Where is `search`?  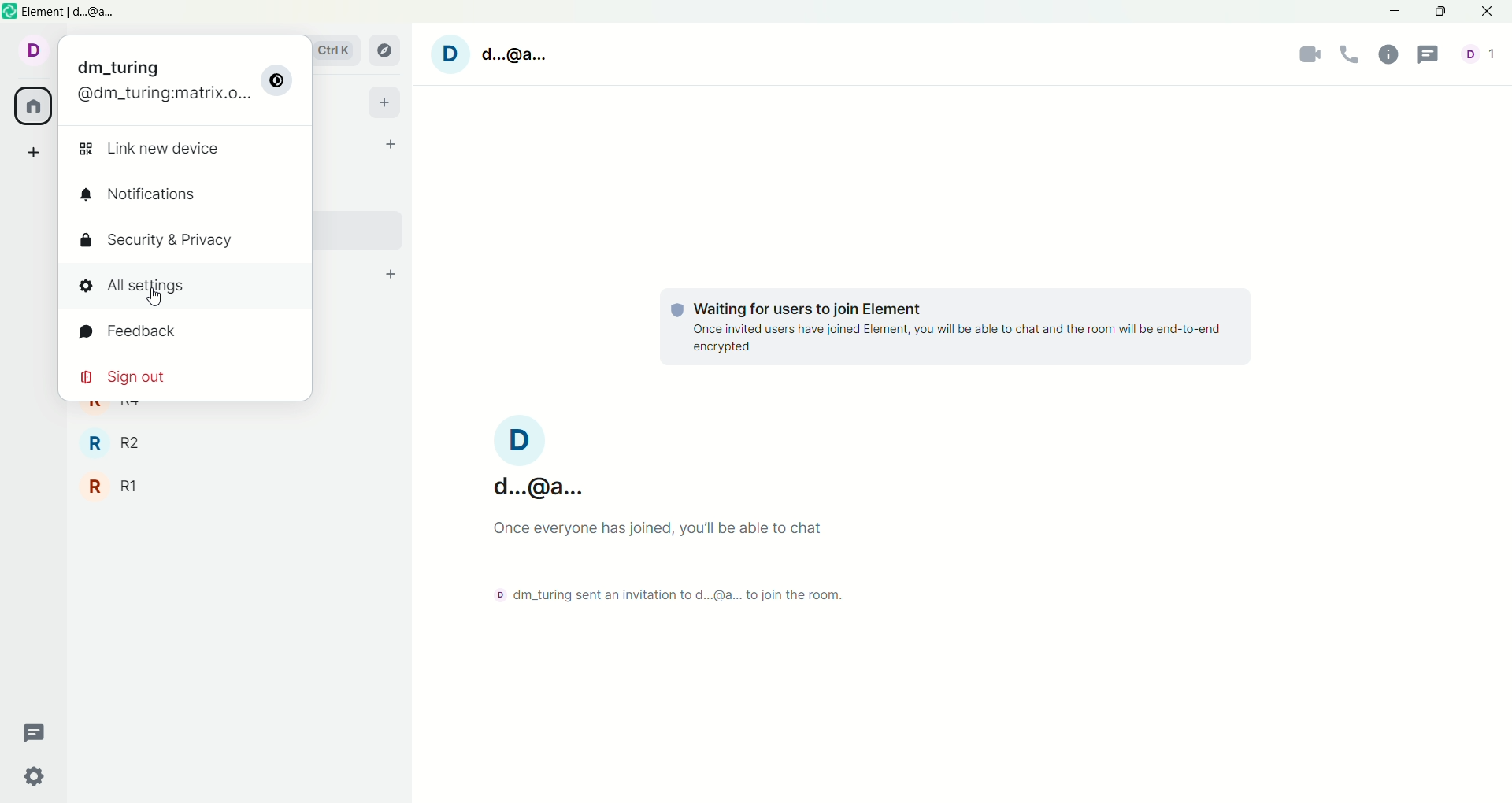 search is located at coordinates (346, 57).